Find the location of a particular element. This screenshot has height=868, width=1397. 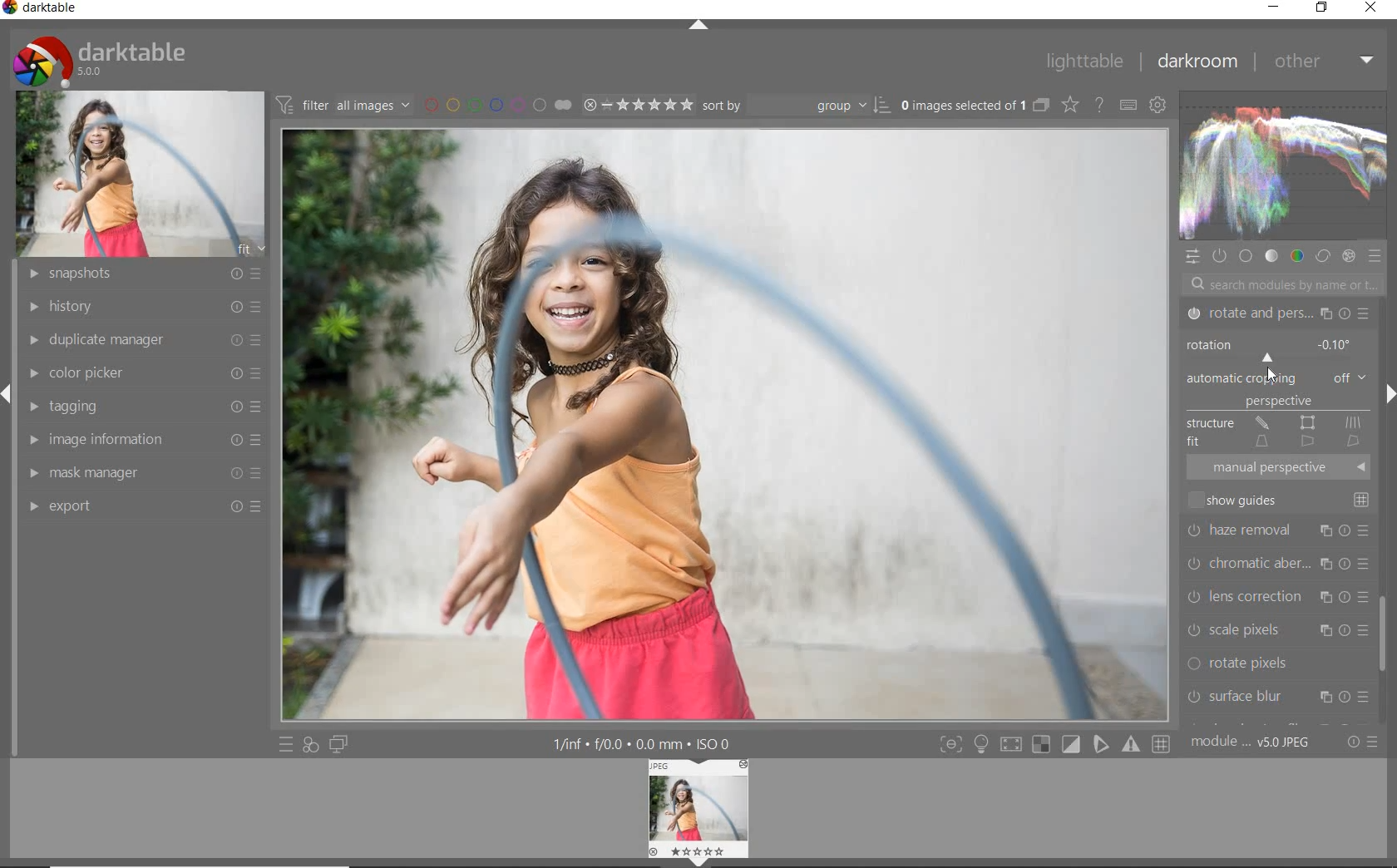

show global preference is located at coordinates (1156, 102).